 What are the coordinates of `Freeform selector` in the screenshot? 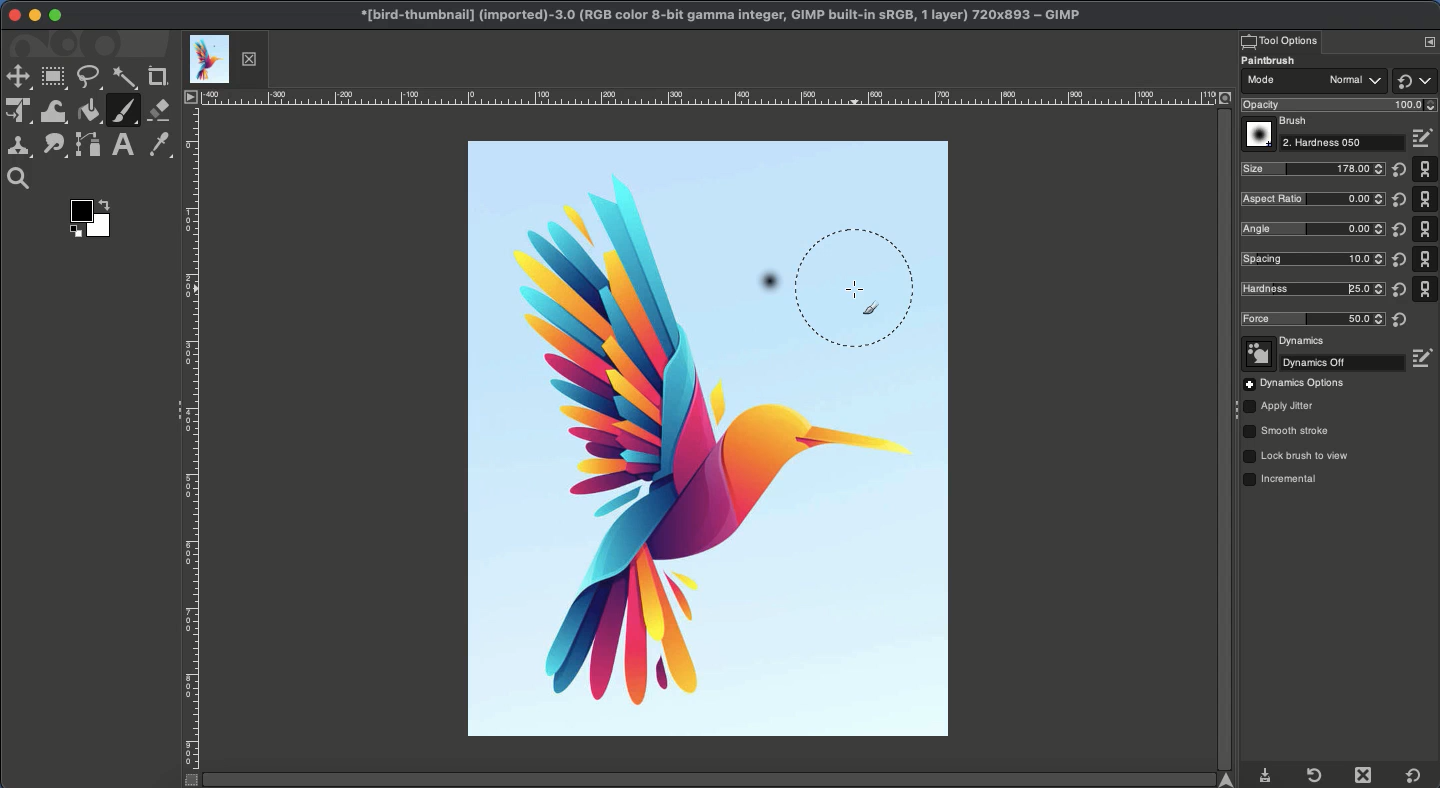 It's located at (90, 78).